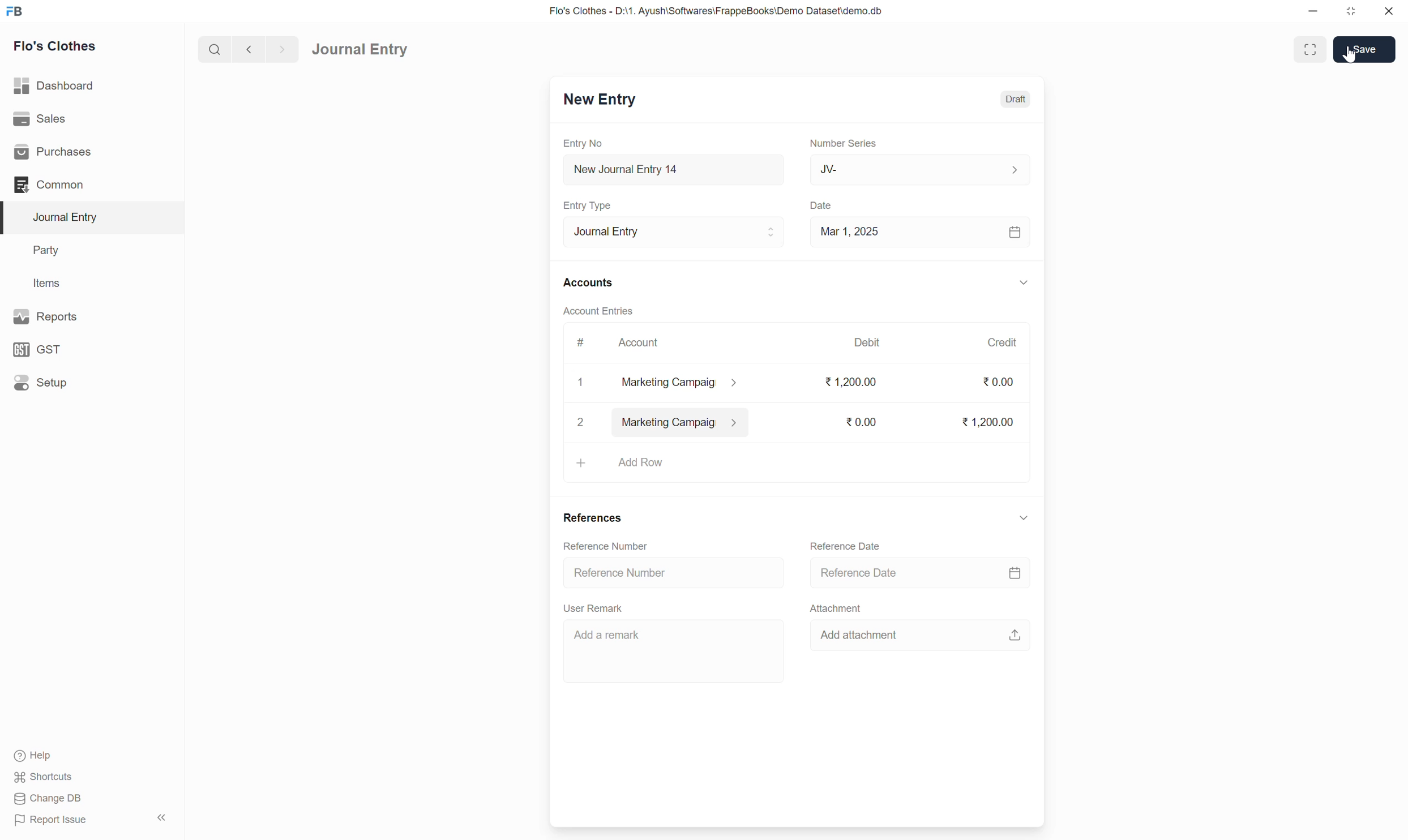 The image size is (1408, 840). What do you see at coordinates (49, 251) in the screenshot?
I see `Party` at bounding box center [49, 251].